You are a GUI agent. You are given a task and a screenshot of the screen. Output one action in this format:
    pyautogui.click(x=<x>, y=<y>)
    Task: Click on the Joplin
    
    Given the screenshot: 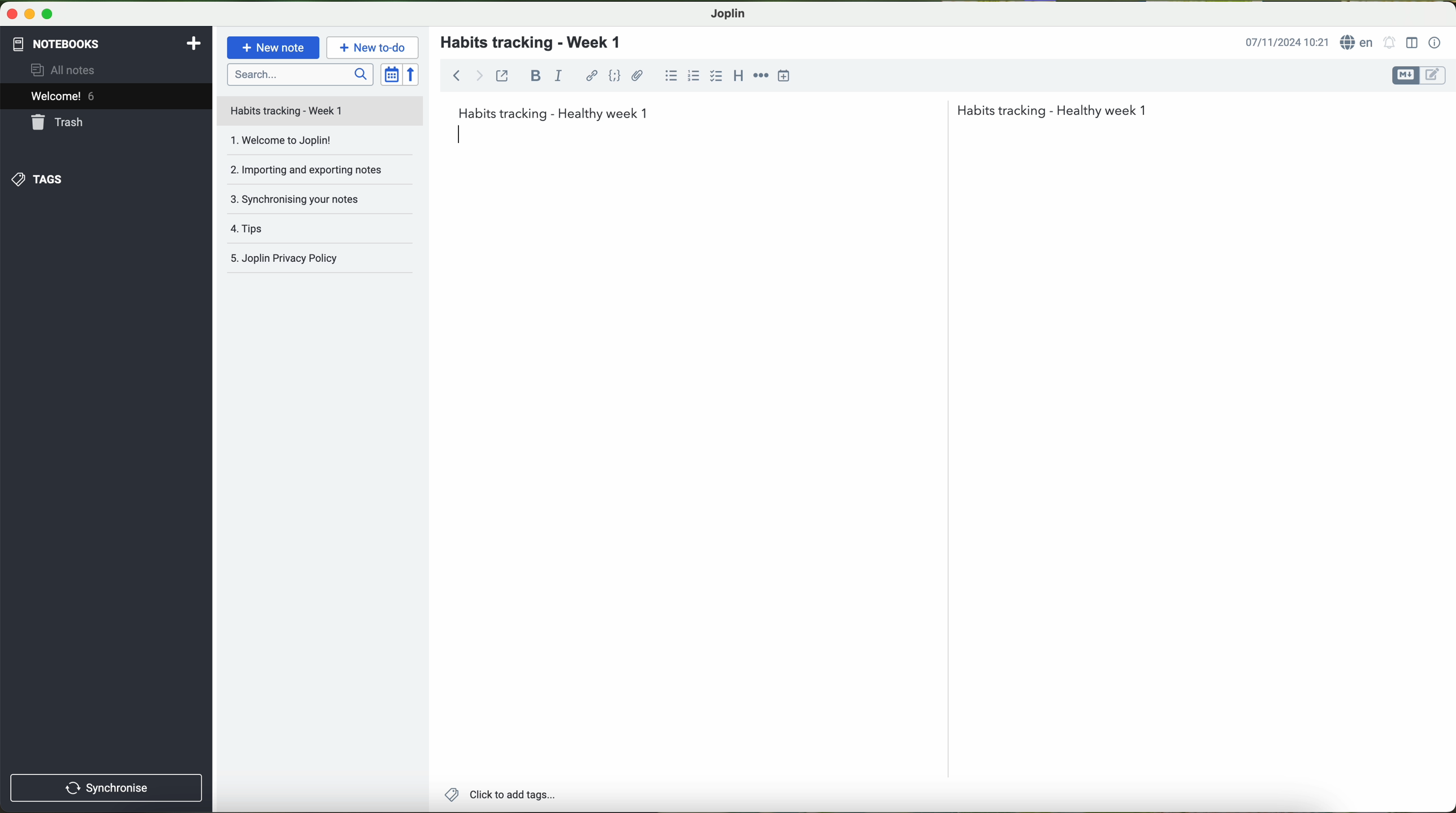 What is the action you would take?
    pyautogui.click(x=727, y=14)
    